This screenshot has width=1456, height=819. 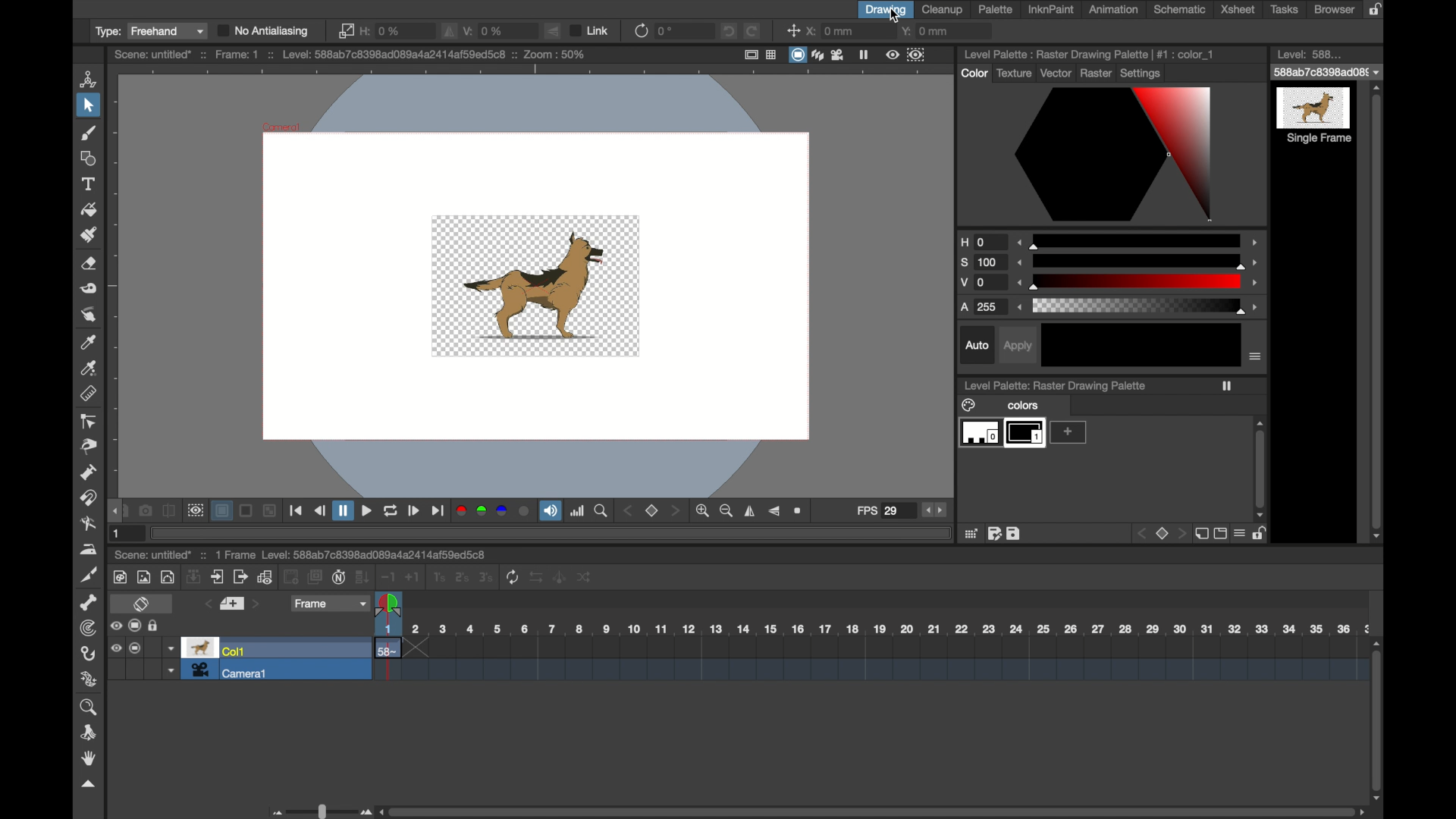 I want to click on guide options, so click(x=759, y=55).